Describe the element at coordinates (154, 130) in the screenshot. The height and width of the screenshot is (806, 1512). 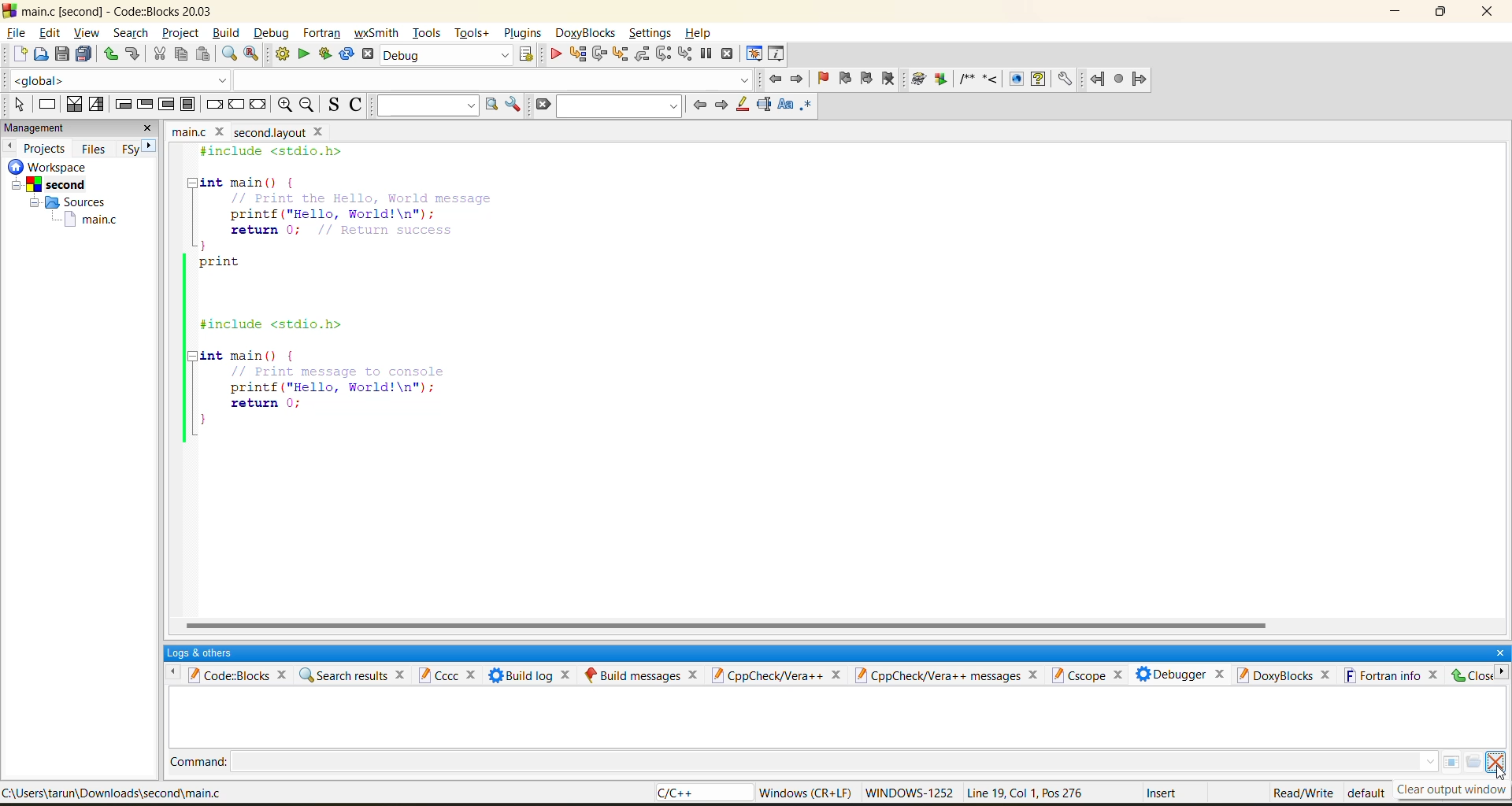
I see `close` at that location.